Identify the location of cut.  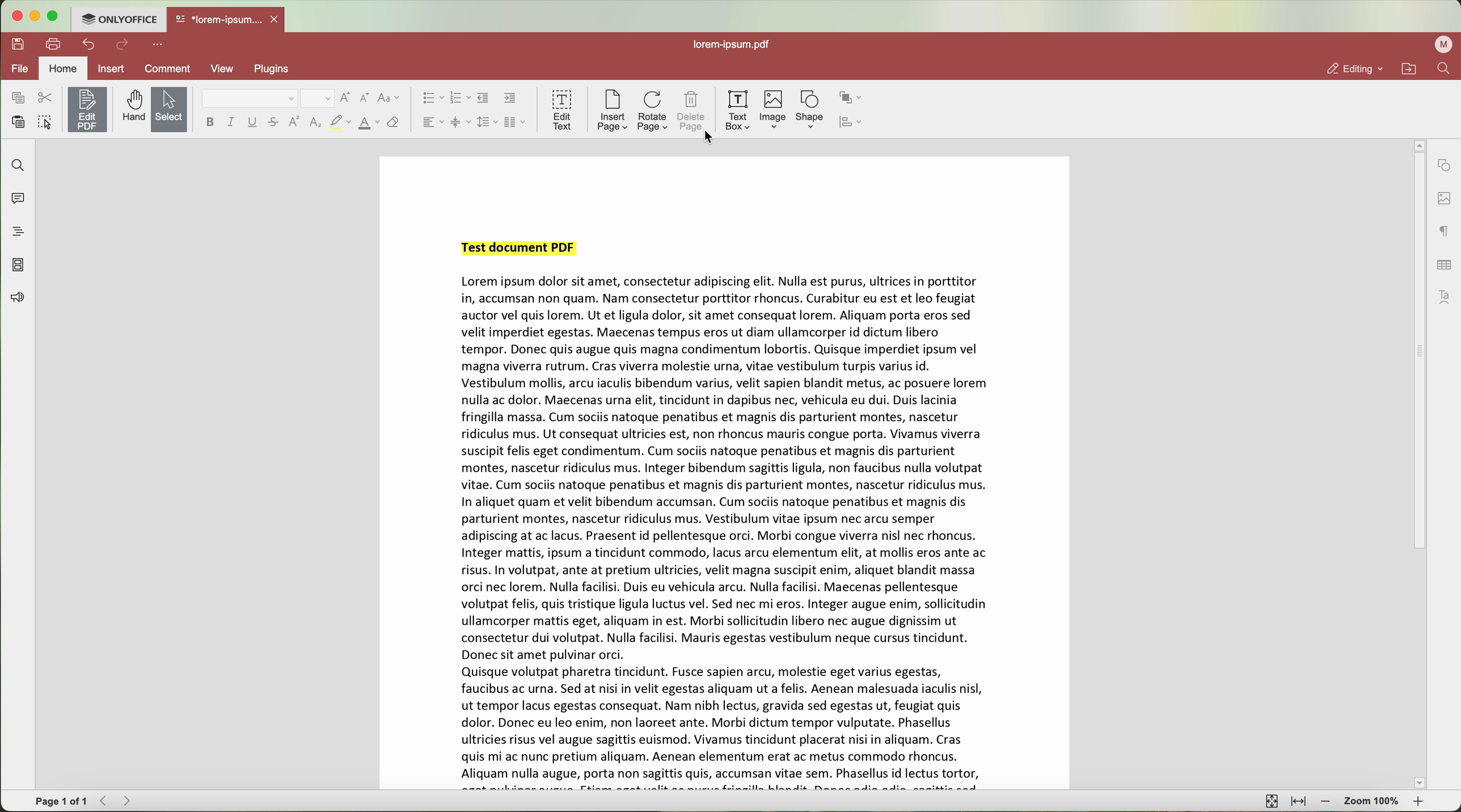
(48, 98).